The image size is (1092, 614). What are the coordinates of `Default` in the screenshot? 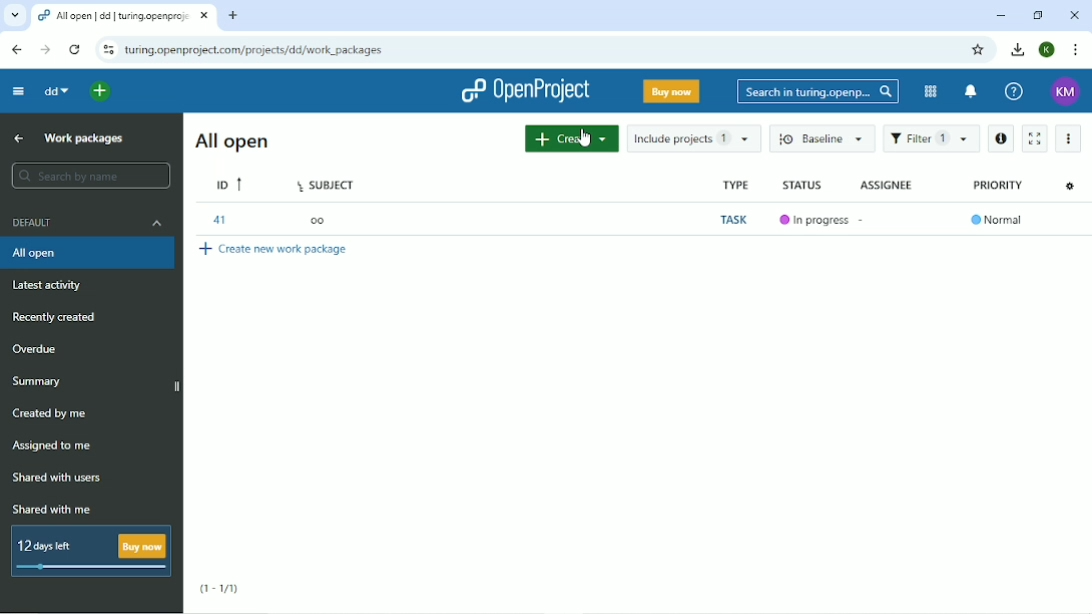 It's located at (88, 222).